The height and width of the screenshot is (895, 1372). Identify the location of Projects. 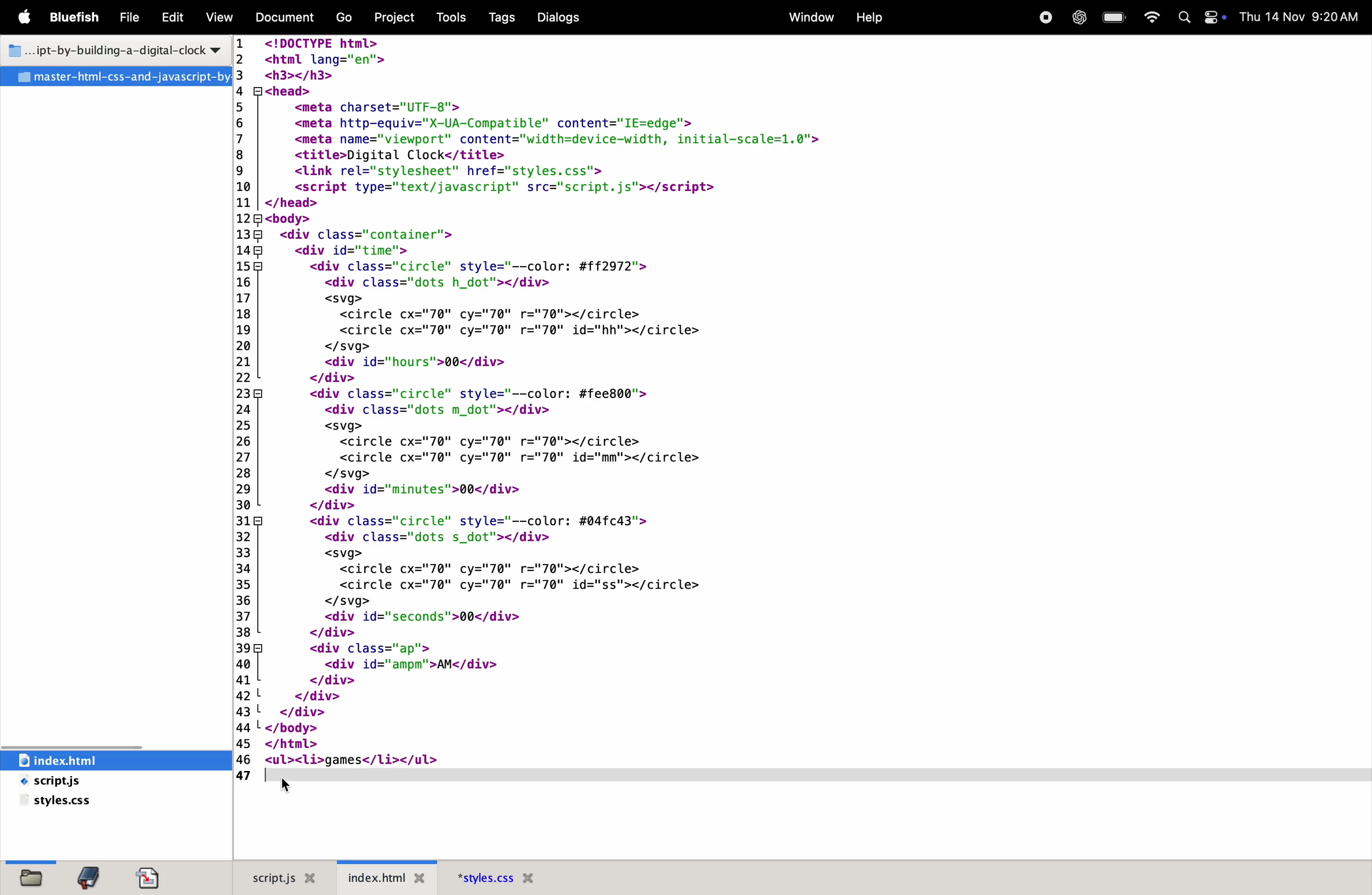
(399, 16).